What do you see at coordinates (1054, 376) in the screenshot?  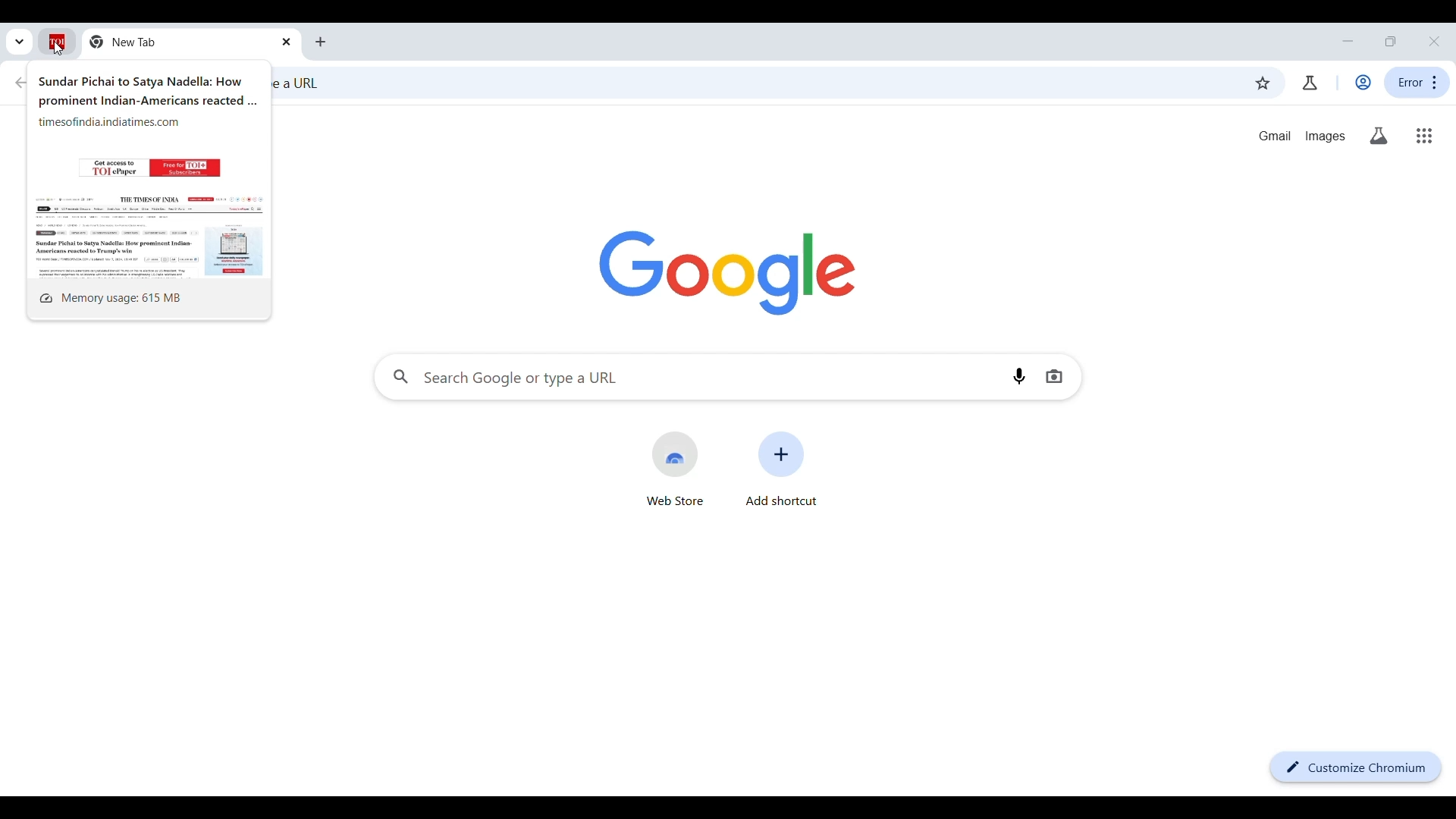 I see `Search by image` at bounding box center [1054, 376].